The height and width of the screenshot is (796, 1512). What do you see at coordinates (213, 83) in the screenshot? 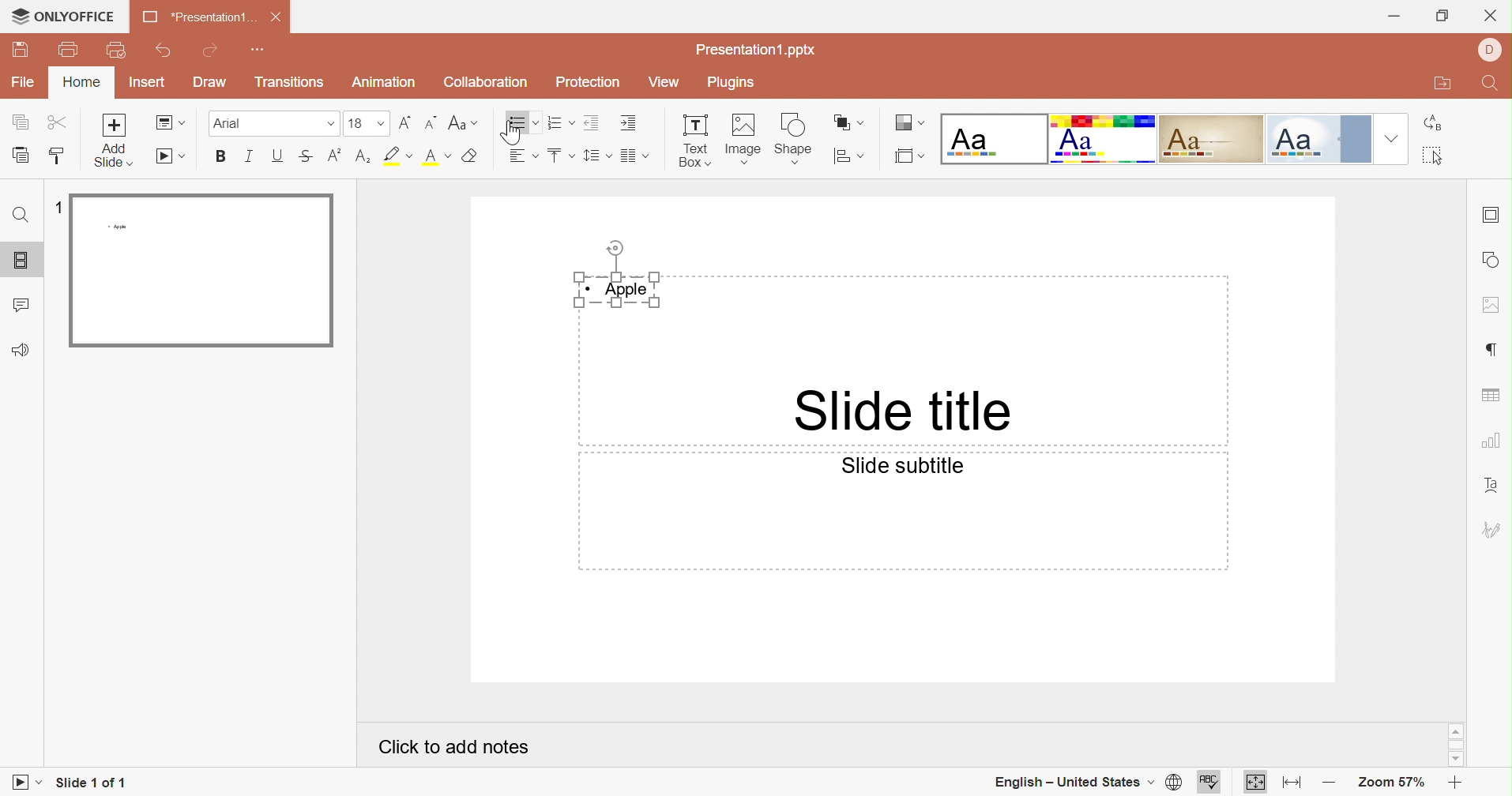
I see `Draw` at bounding box center [213, 83].